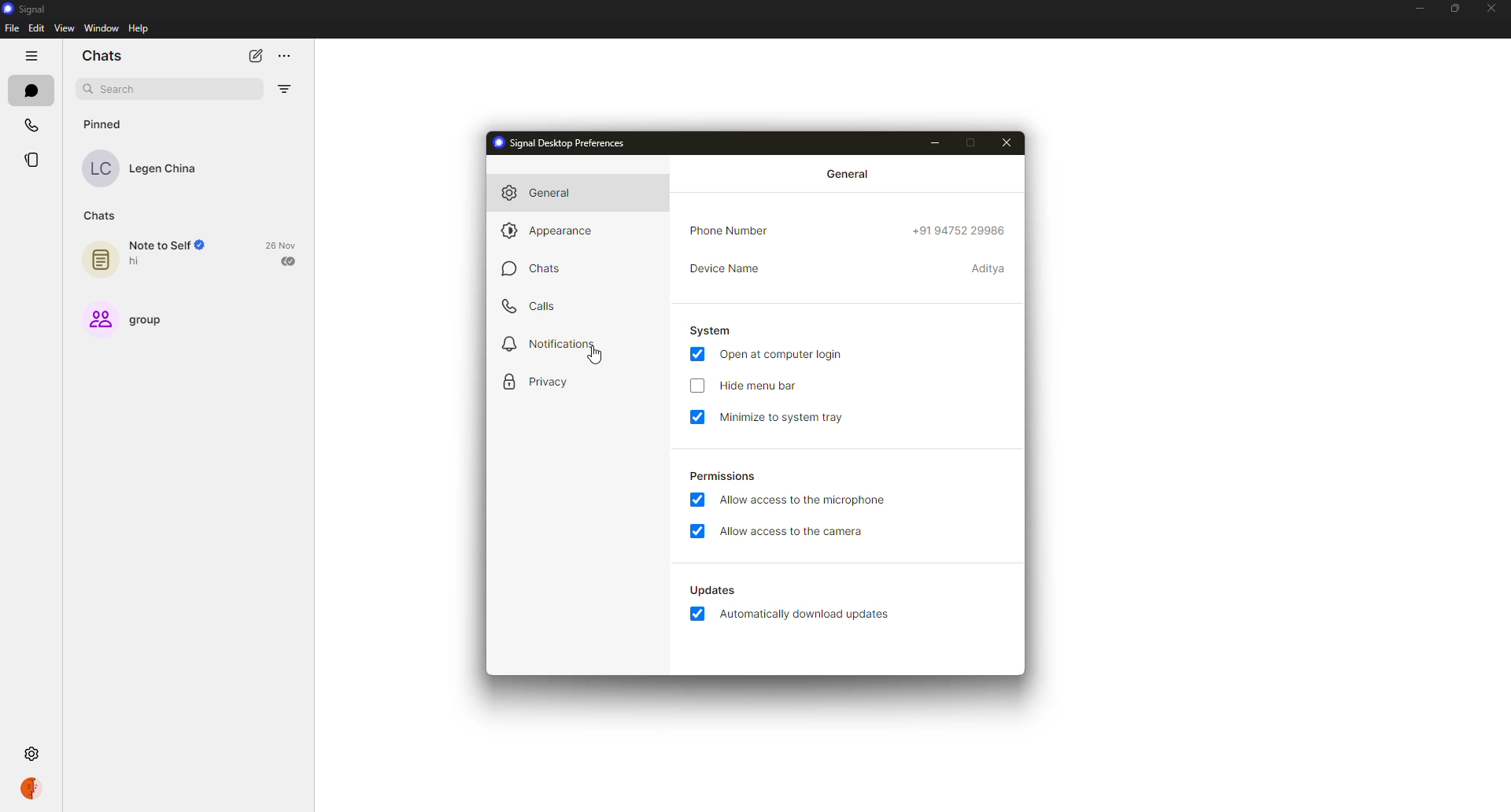 Image resolution: width=1511 pixels, height=812 pixels. Describe the element at coordinates (172, 245) in the screenshot. I see `note to self` at that location.